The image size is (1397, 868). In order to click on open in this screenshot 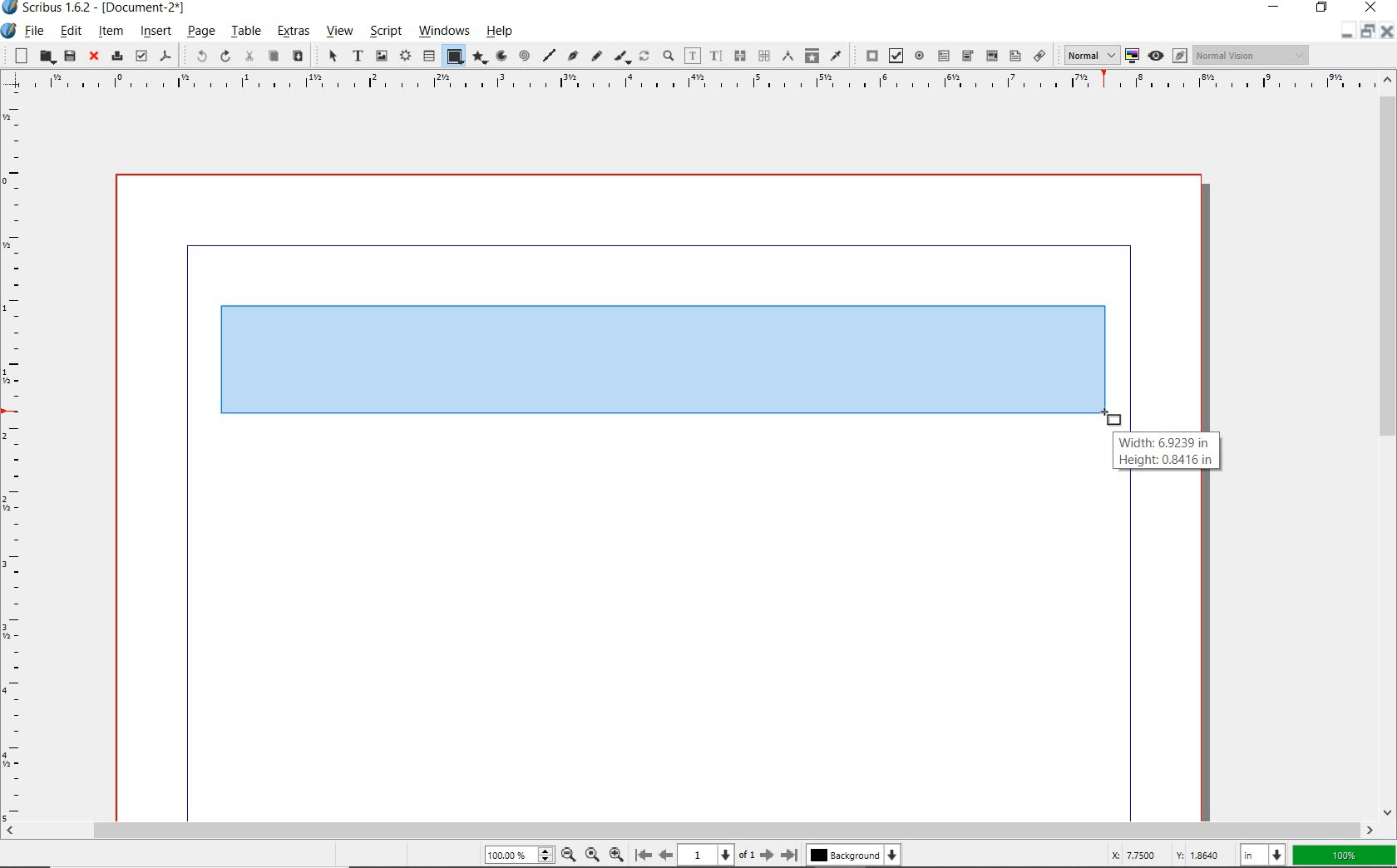, I will do `click(45, 57)`.